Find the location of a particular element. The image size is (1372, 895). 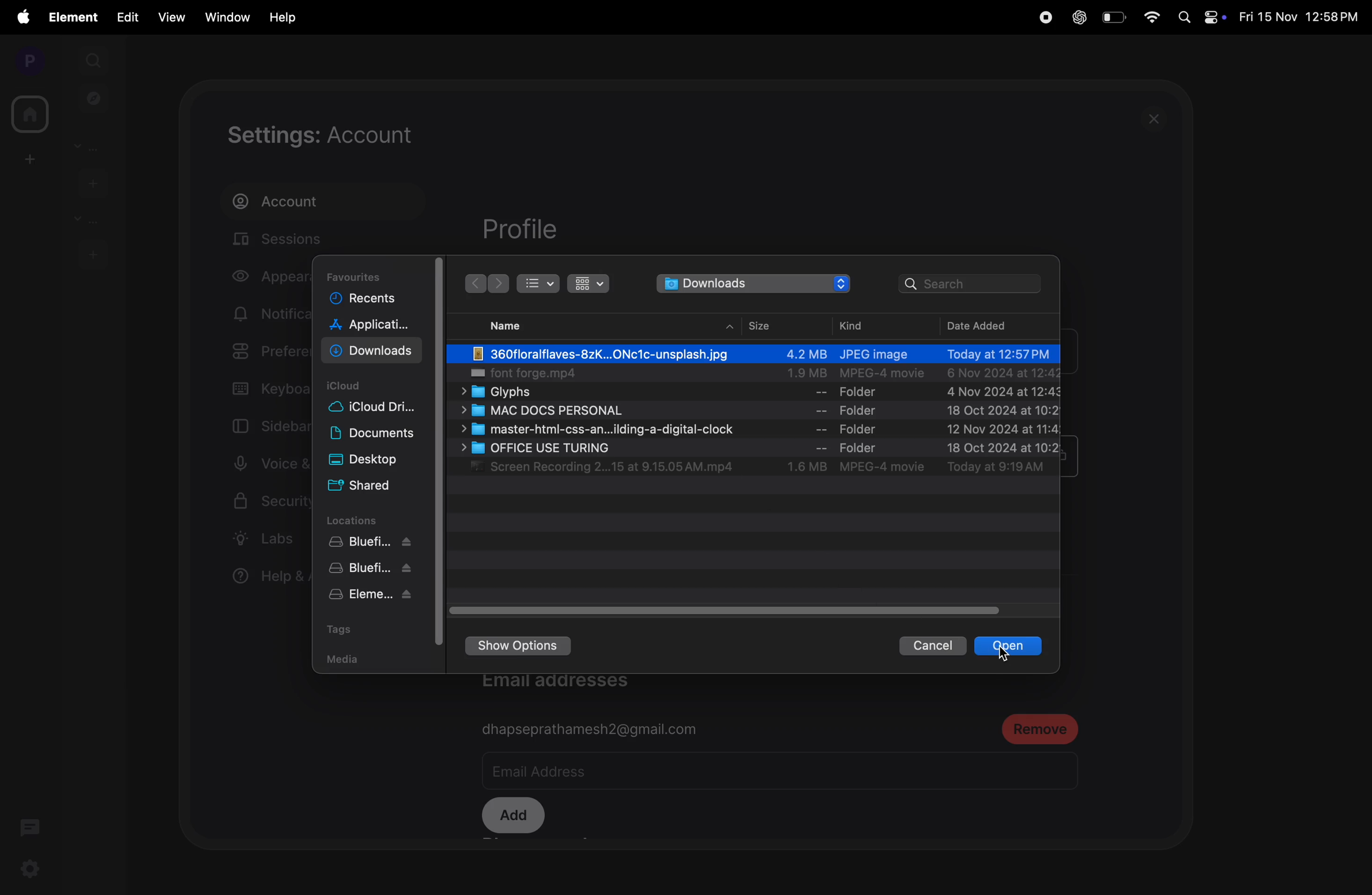

apple menu is located at coordinates (22, 17).